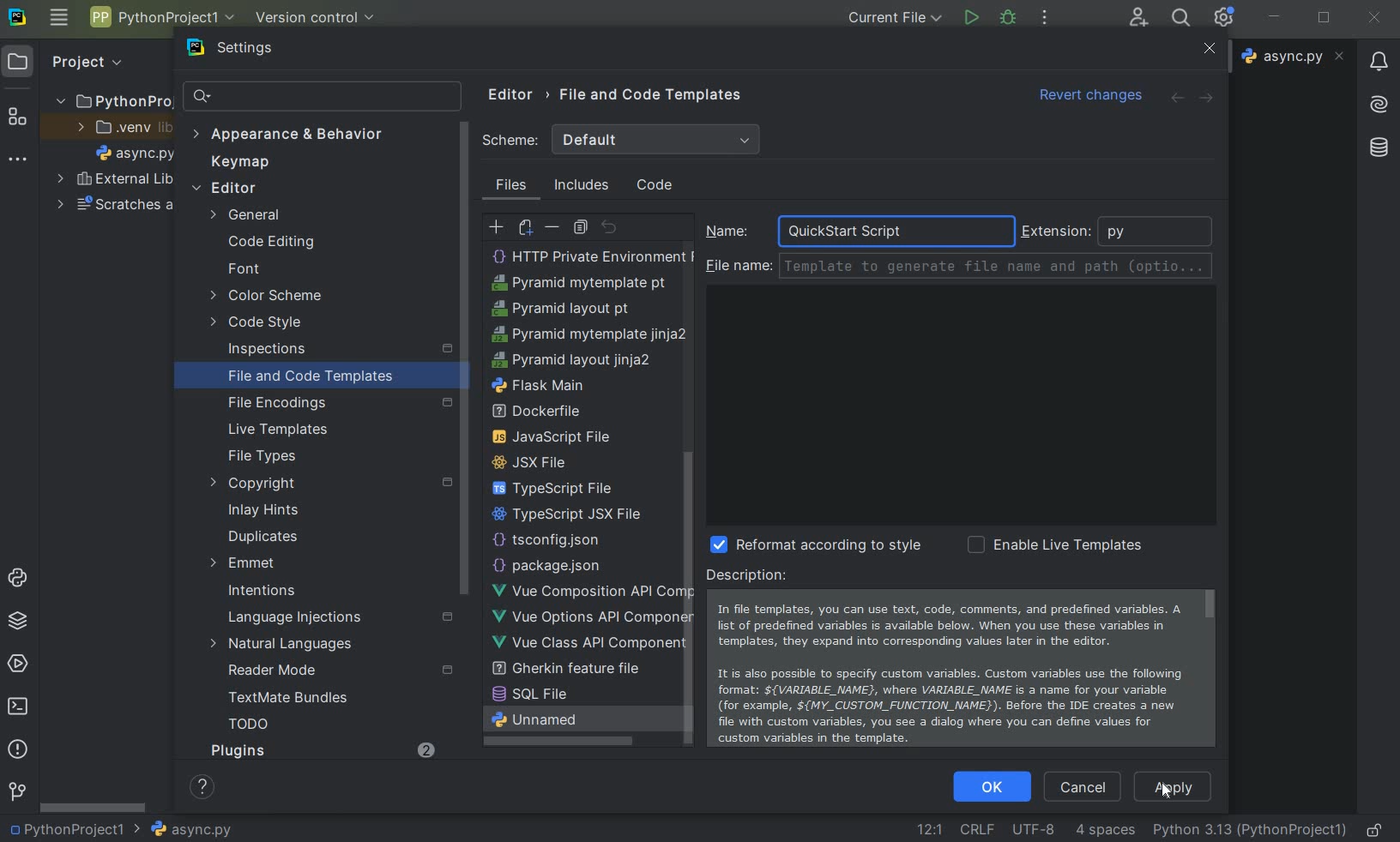 The width and height of the screenshot is (1400, 842). Describe the element at coordinates (582, 186) in the screenshot. I see `includes` at that location.